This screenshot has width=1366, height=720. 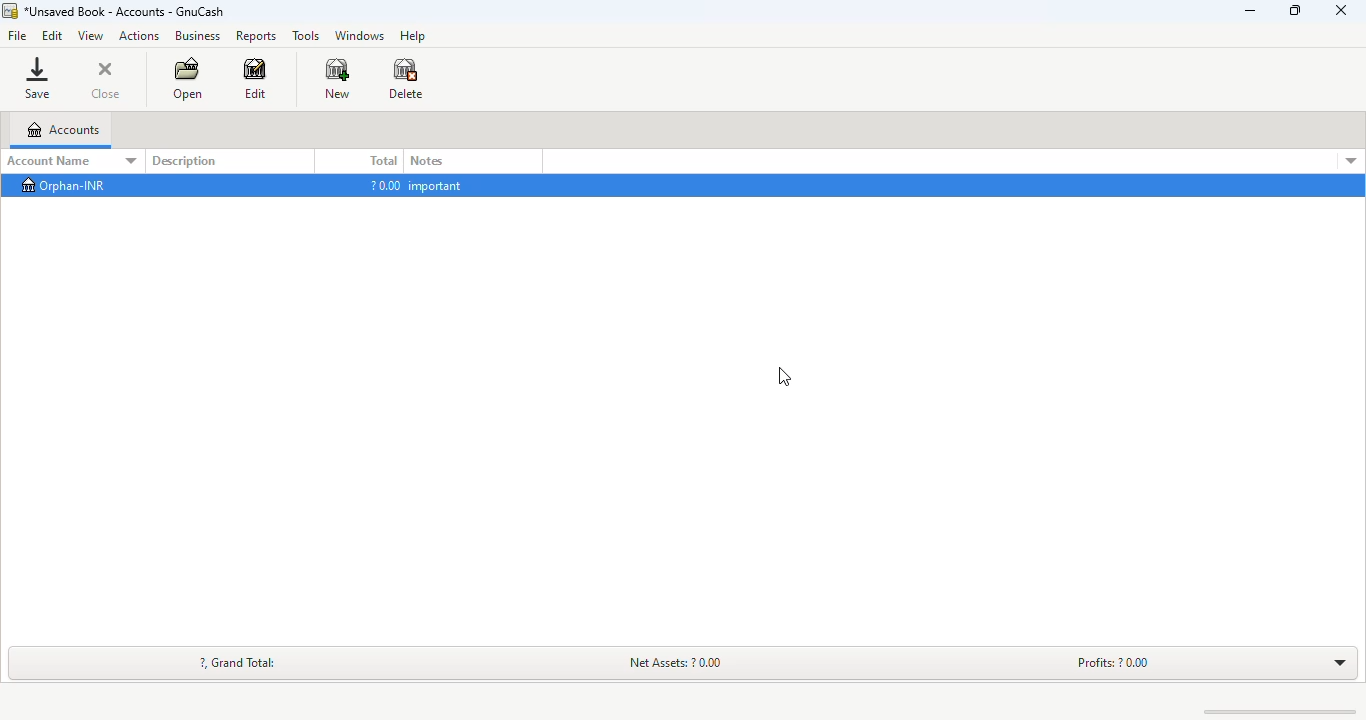 What do you see at coordinates (1250, 10) in the screenshot?
I see `minimize` at bounding box center [1250, 10].